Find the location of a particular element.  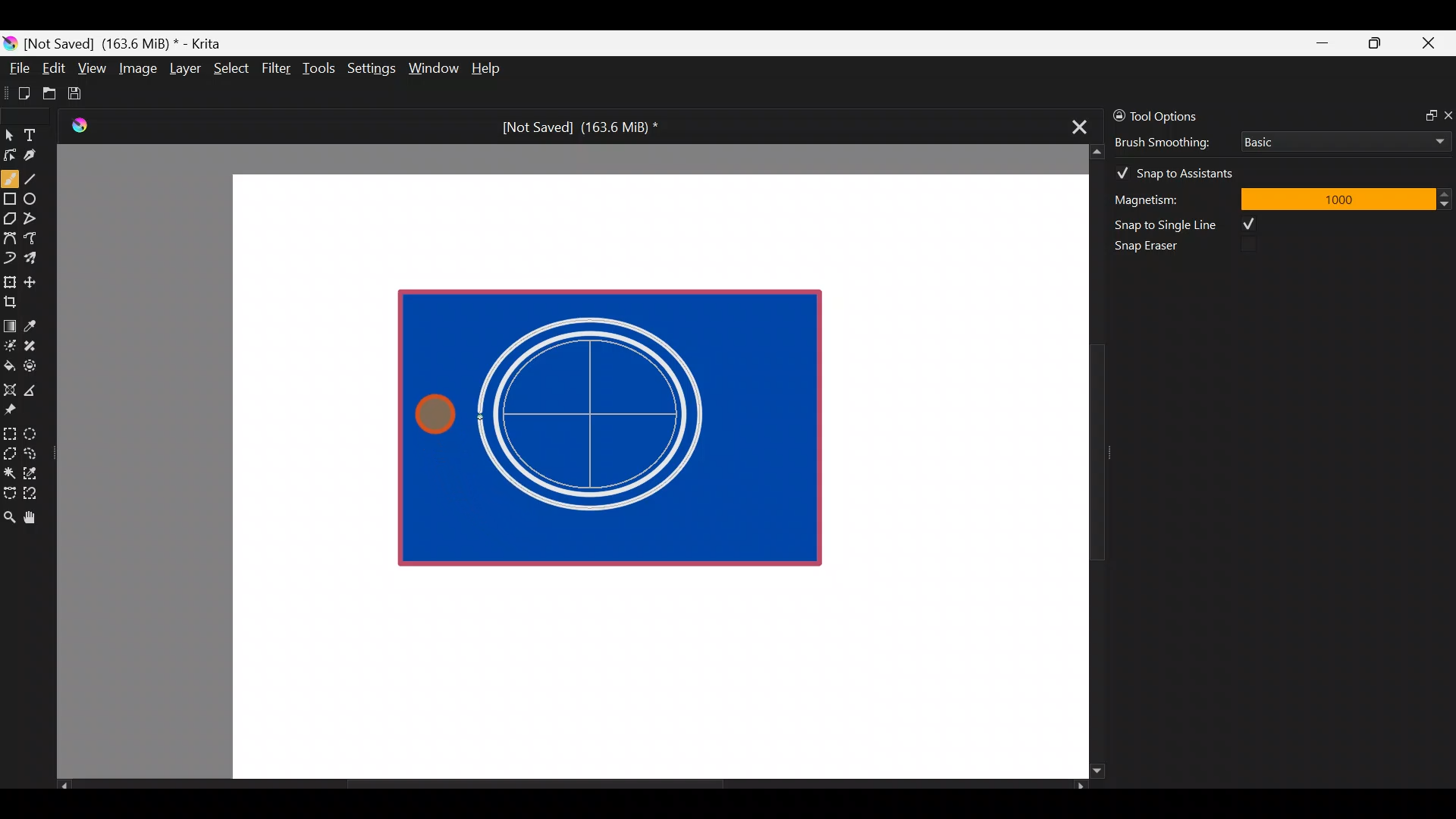

Increase is located at coordinates (1447, 193).